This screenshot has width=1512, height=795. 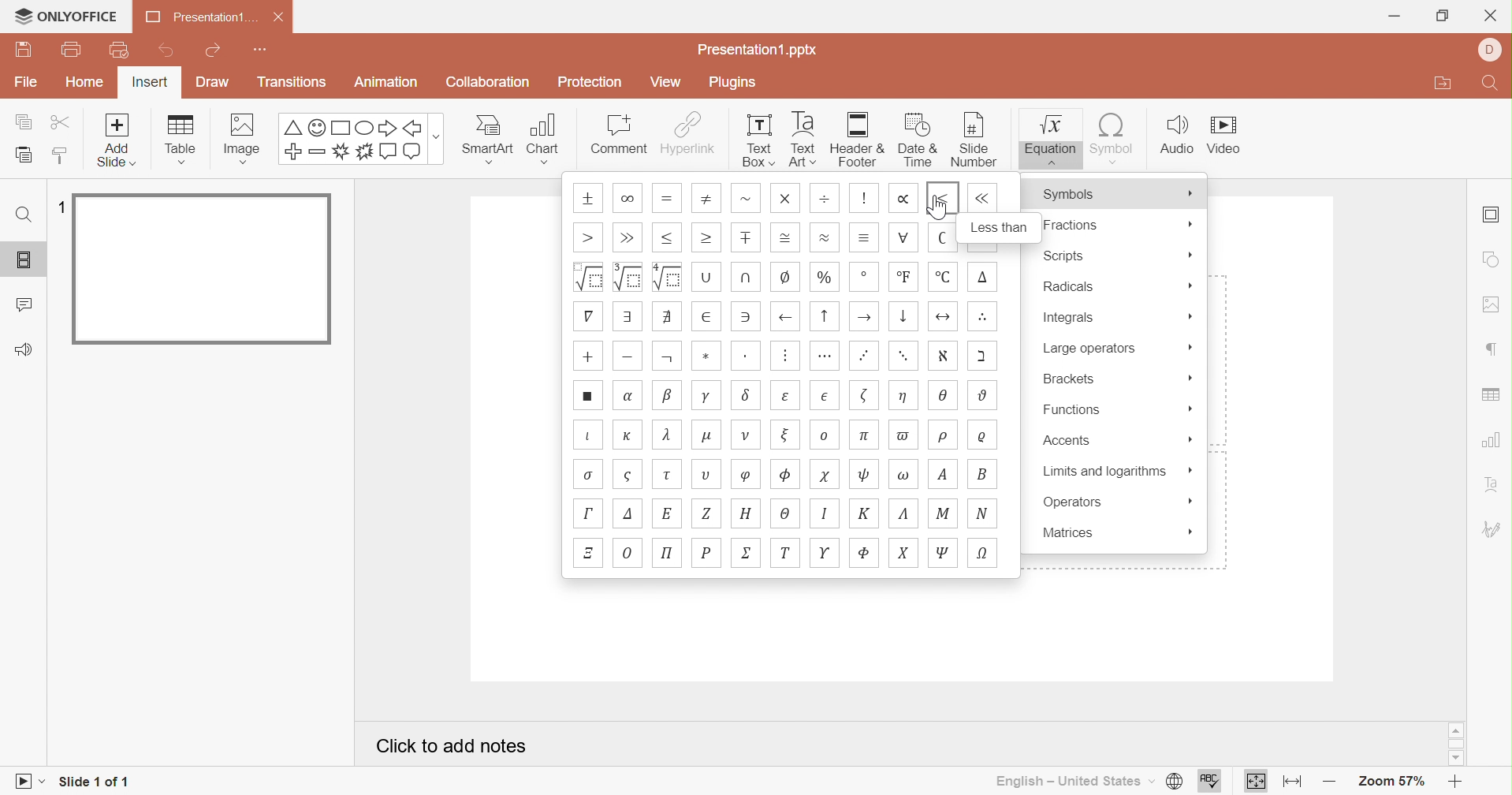 I want to click on Home, so click(x=83, y=84).